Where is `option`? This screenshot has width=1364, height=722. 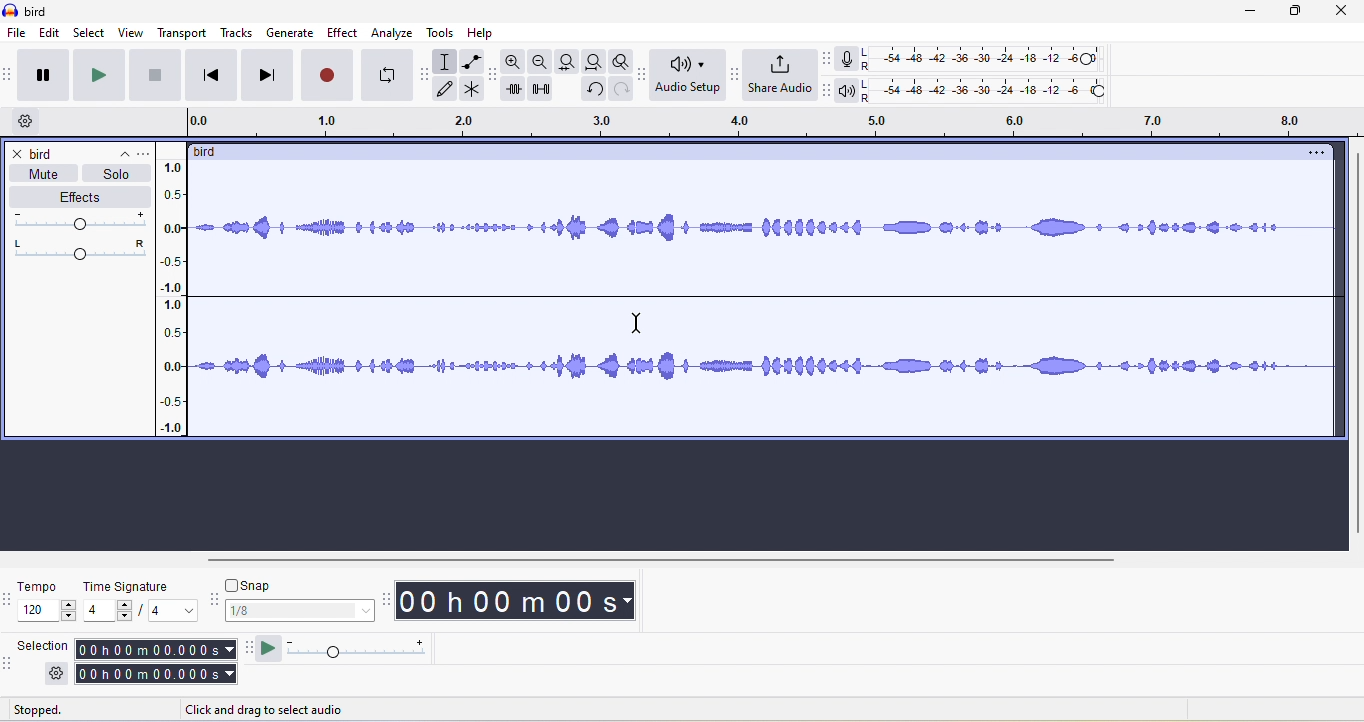
option is located at coordinates (1314, 153).